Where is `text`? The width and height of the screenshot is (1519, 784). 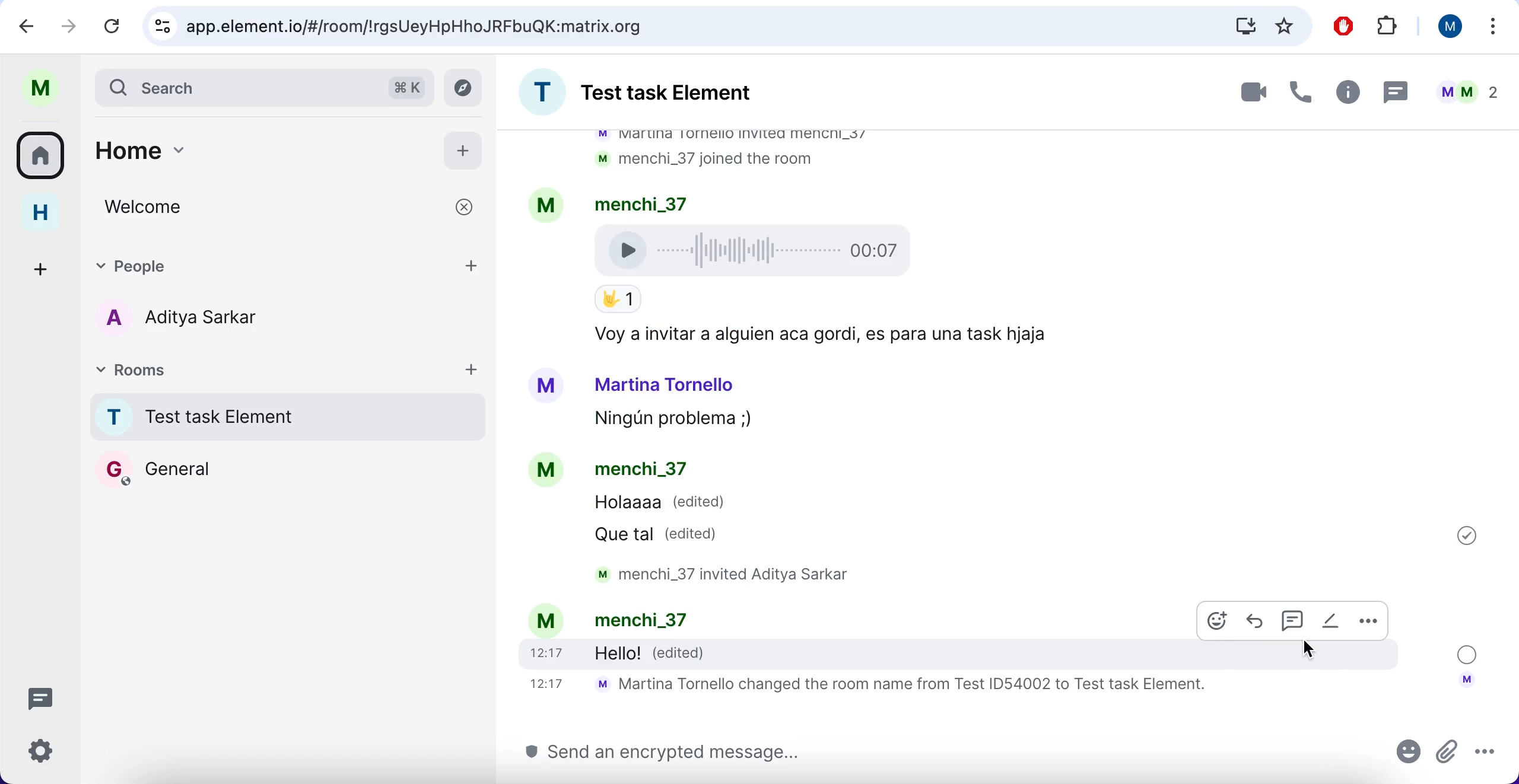
text is located at coordinates (649, 618).